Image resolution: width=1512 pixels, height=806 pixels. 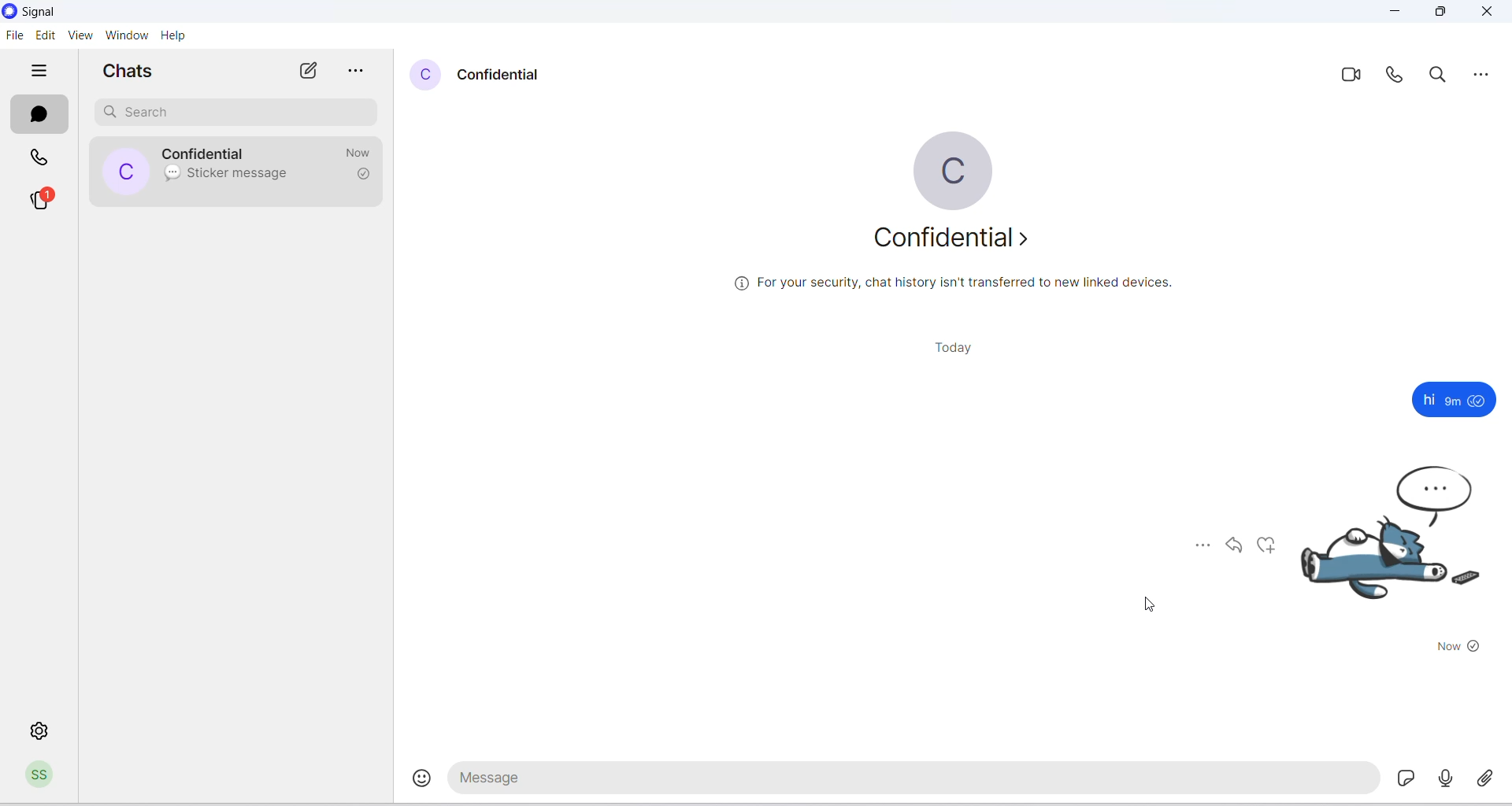 I want to click on cursor, so click(x=1145, y=606).